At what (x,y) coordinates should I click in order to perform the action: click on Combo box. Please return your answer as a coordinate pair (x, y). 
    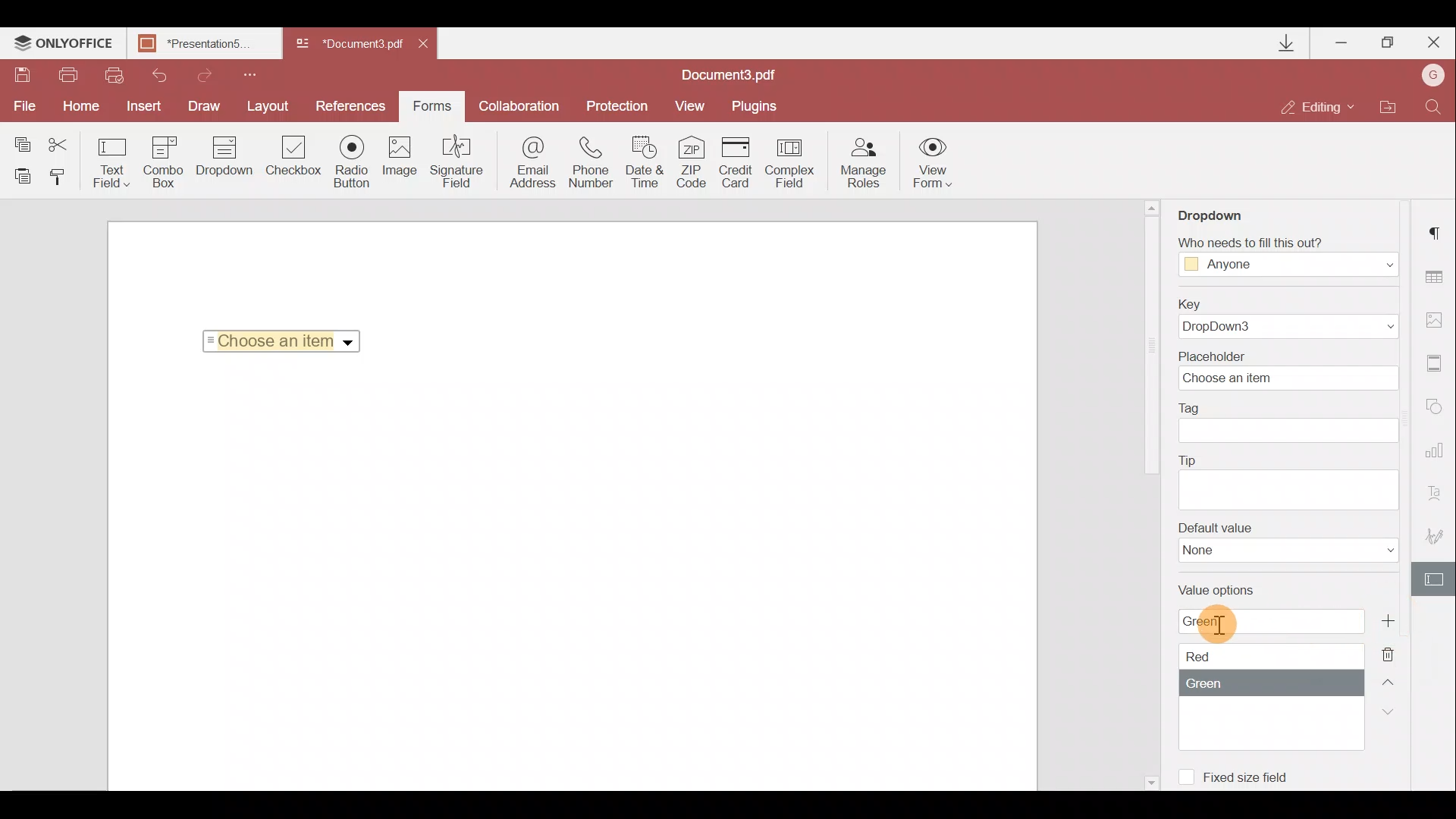
    Looking at the image, I should click on (162, 162).